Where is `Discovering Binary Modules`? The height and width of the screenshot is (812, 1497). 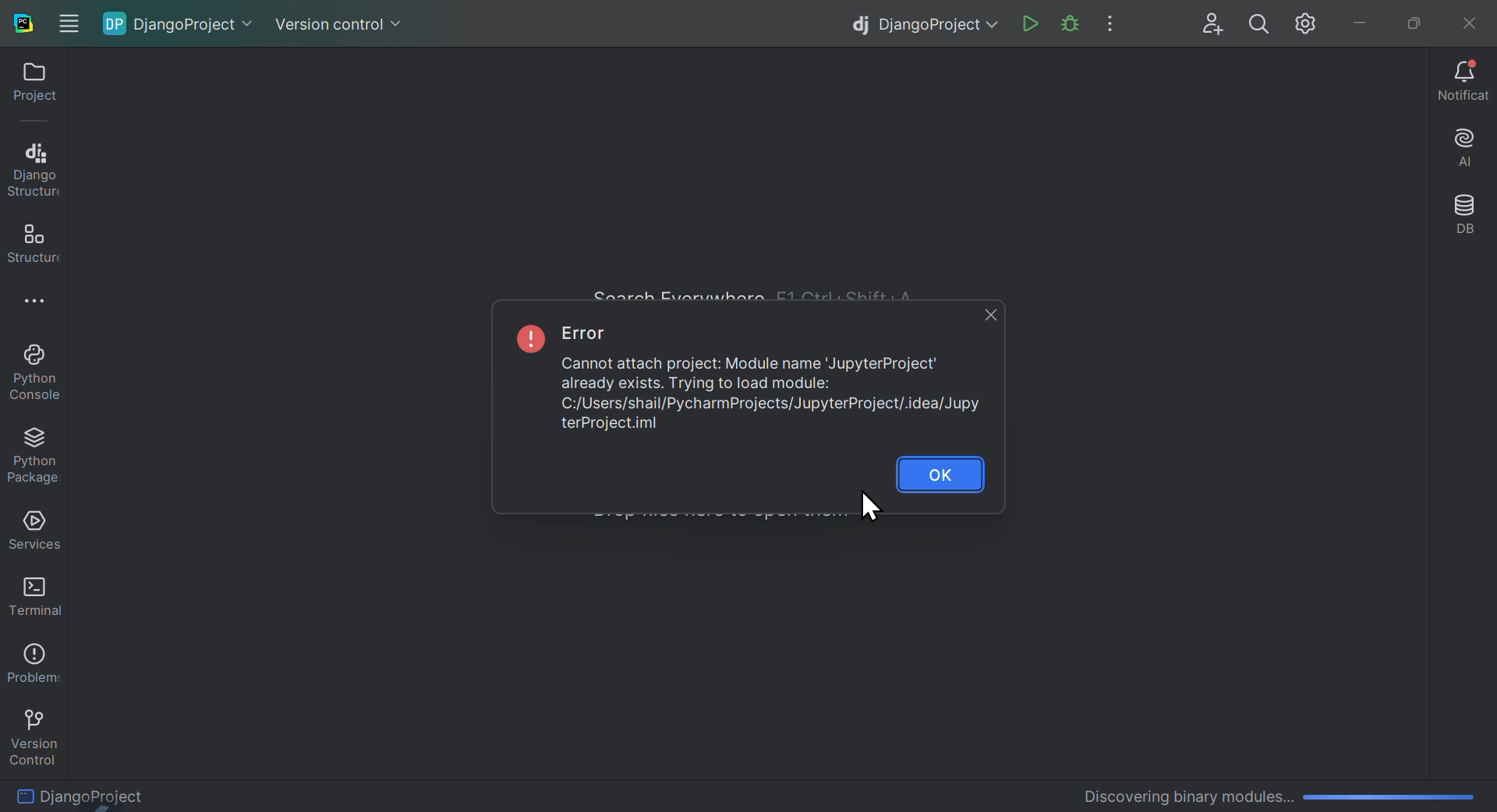
Discovering Binary Modules is located at coordinates (1272, 793).